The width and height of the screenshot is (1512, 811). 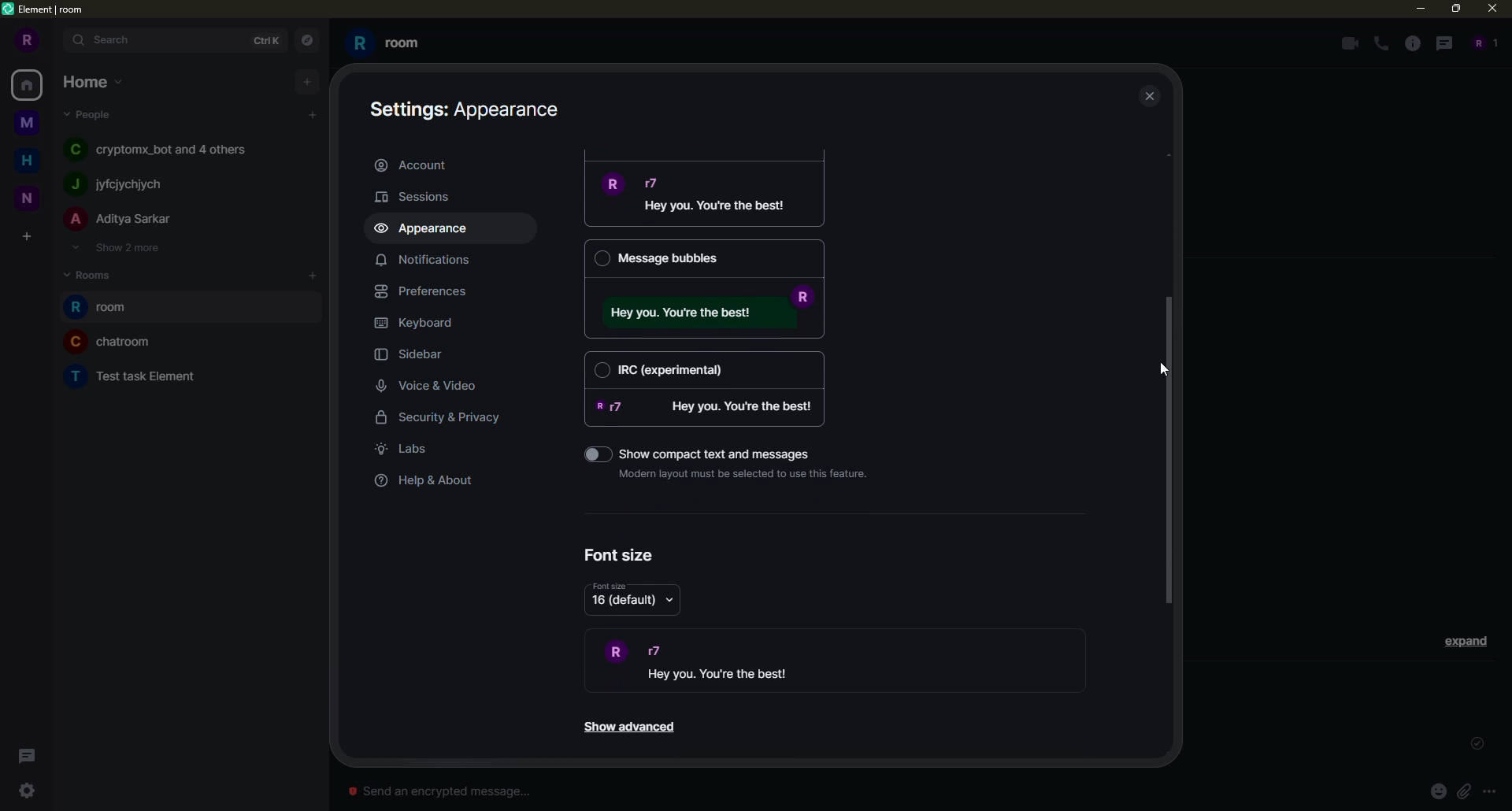 What do you see at coordinates (24, 40) in the screenshot?
I see `profile` at bounding box center [24, 40].